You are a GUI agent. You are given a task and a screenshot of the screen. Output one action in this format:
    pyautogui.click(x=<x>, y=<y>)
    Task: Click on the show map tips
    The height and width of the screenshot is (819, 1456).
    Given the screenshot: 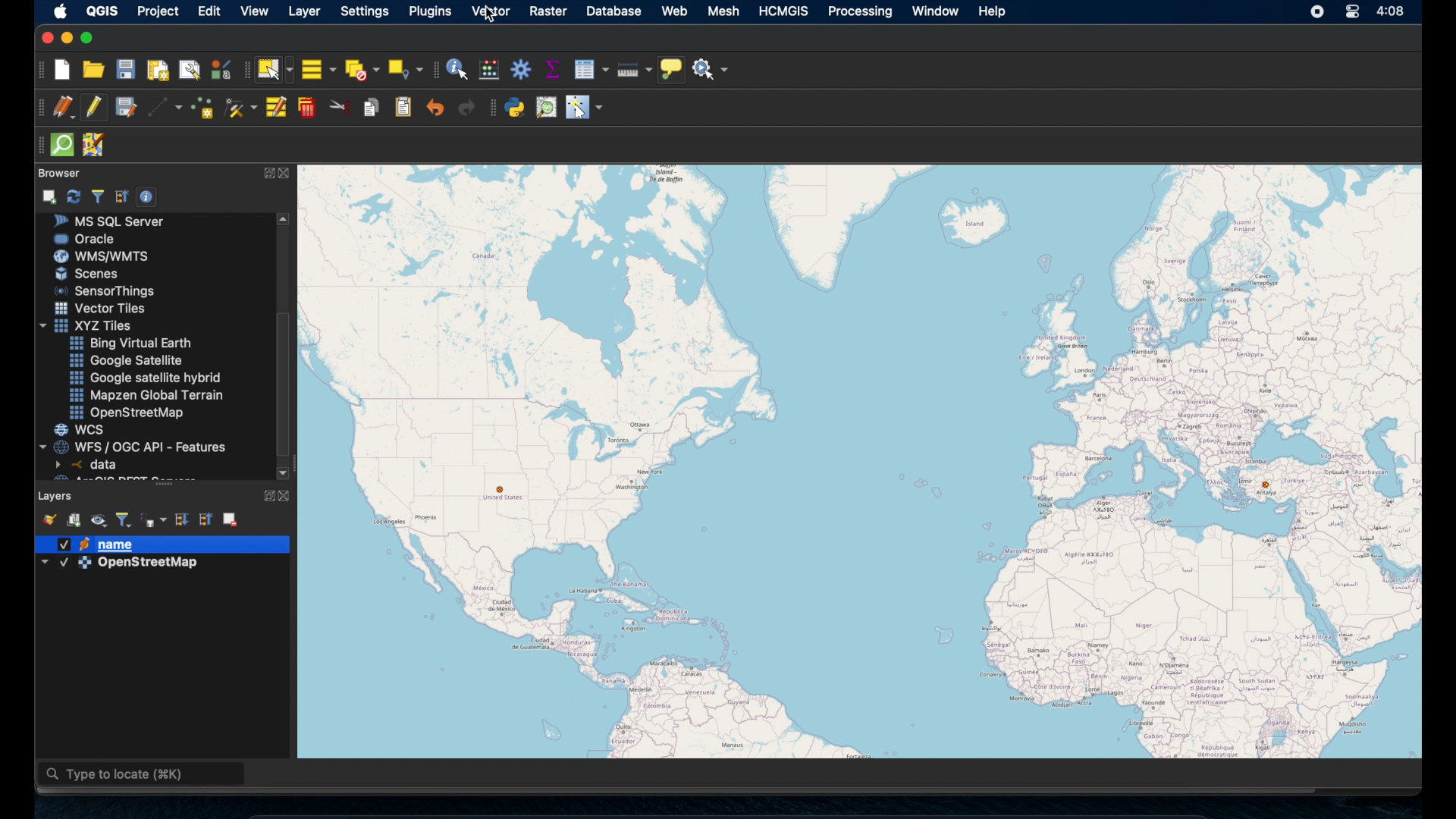 What is the action you would take?
    pyautogui.click(x=673, y=69)
    